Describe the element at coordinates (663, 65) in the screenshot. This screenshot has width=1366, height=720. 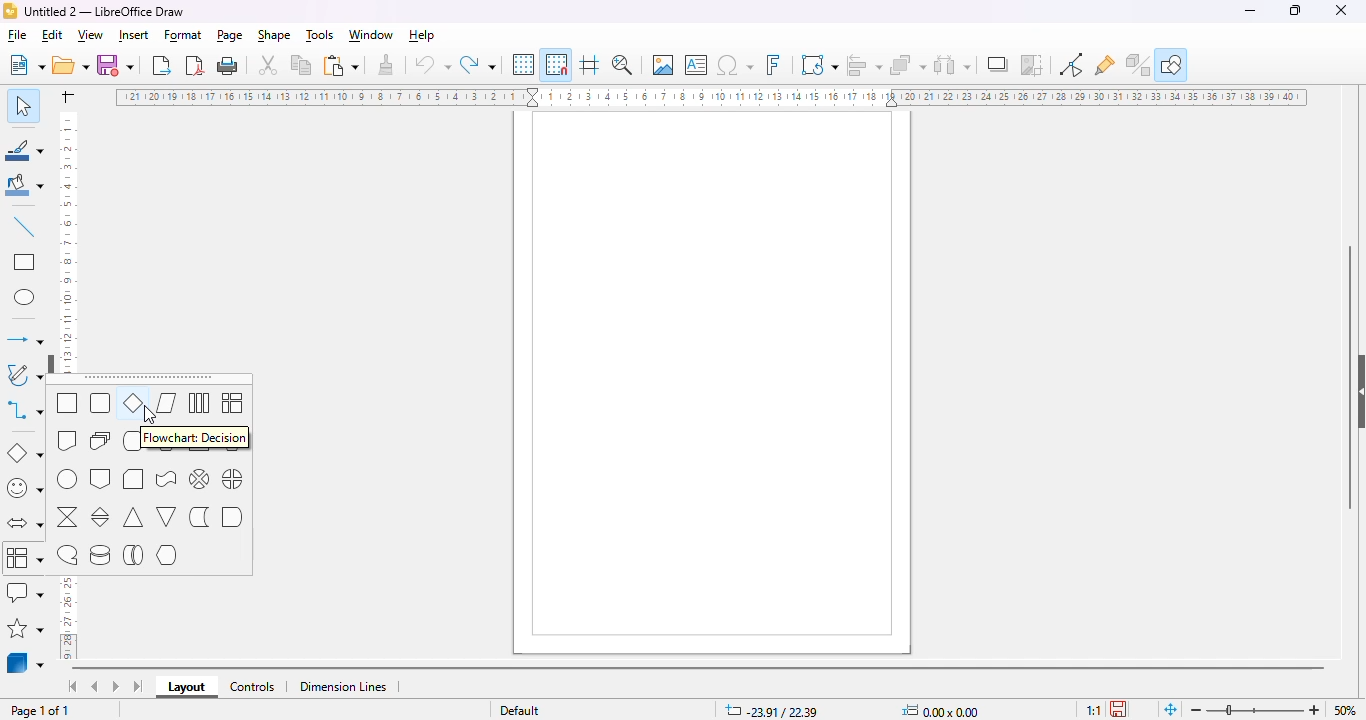
I see `insert image` at that location.